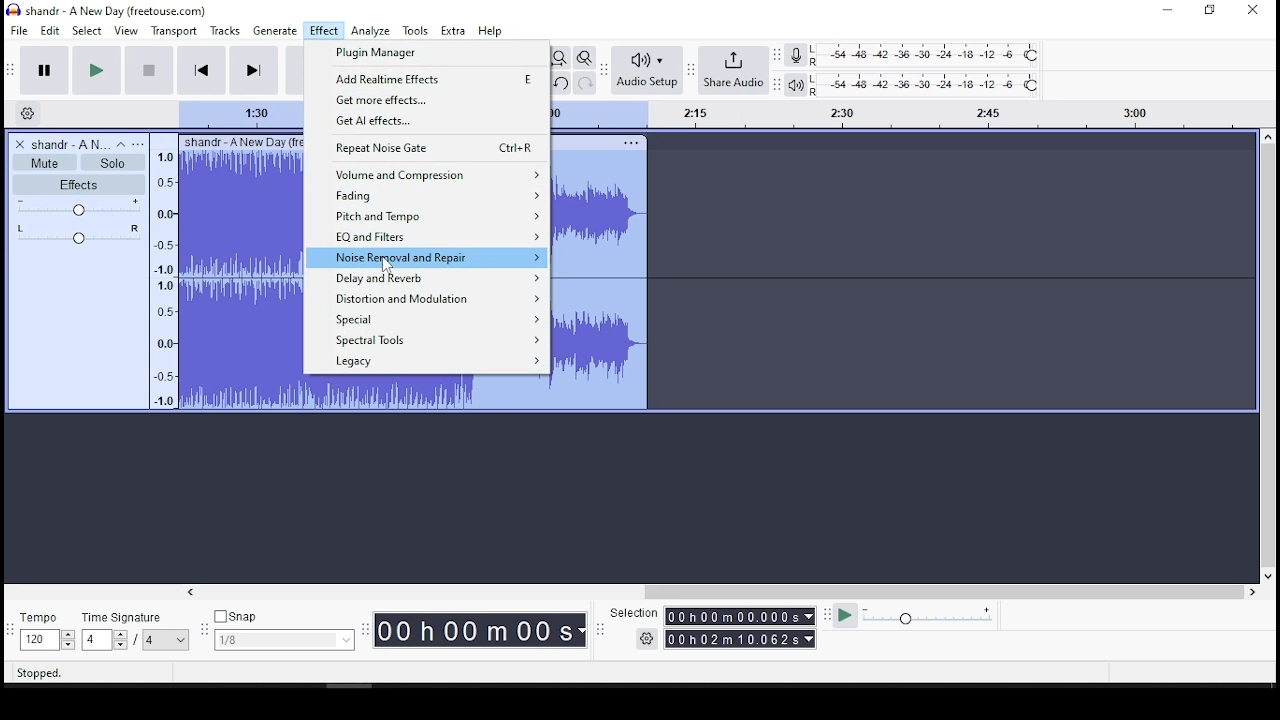 The image size is (1280, 720). What do you see at coordinates (46, 162) in the screenshot?
I see `mute` at bounding box center [46, 162].